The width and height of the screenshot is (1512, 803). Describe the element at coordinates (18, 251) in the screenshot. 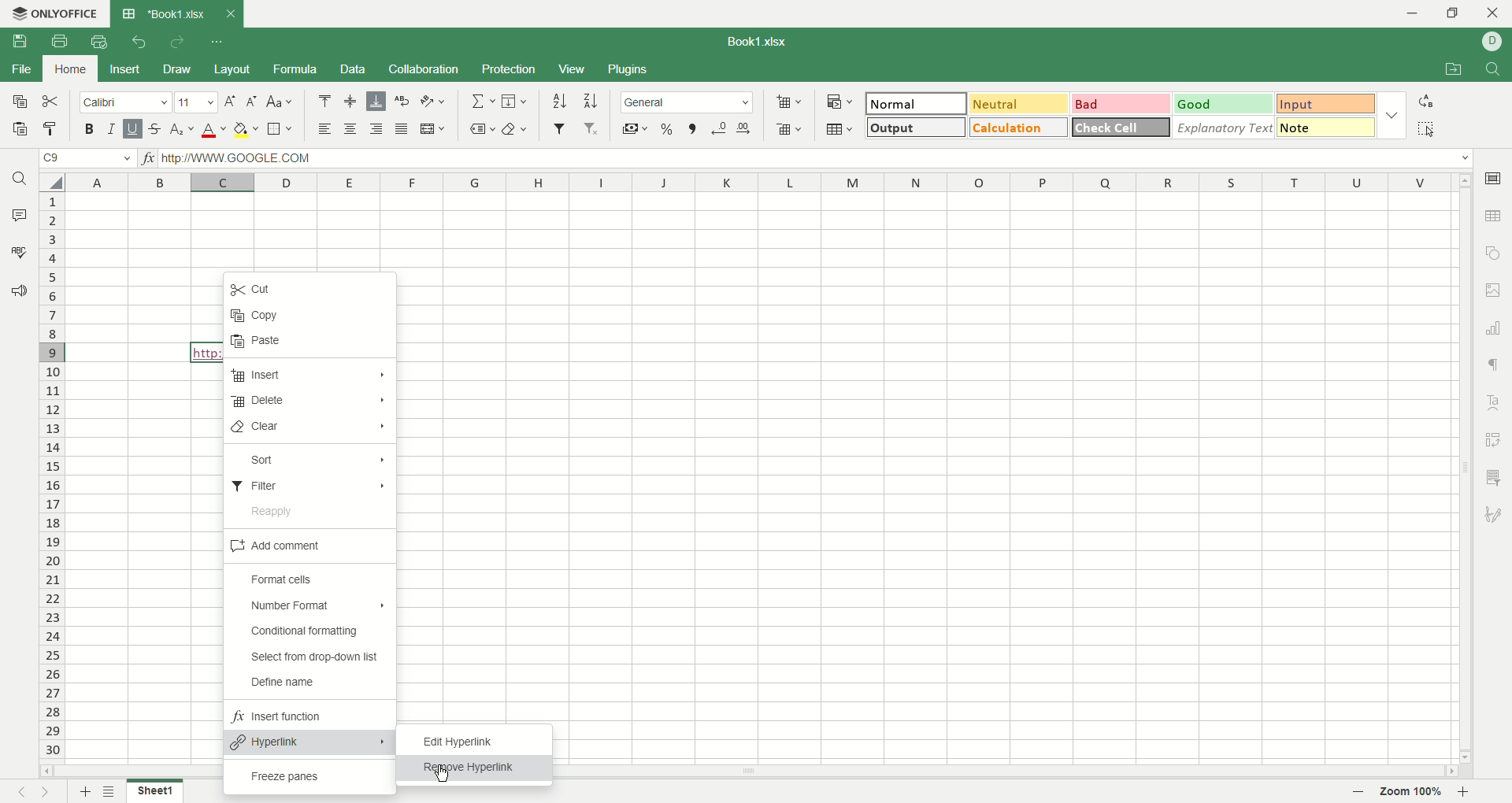

I see `spell check` at that location.